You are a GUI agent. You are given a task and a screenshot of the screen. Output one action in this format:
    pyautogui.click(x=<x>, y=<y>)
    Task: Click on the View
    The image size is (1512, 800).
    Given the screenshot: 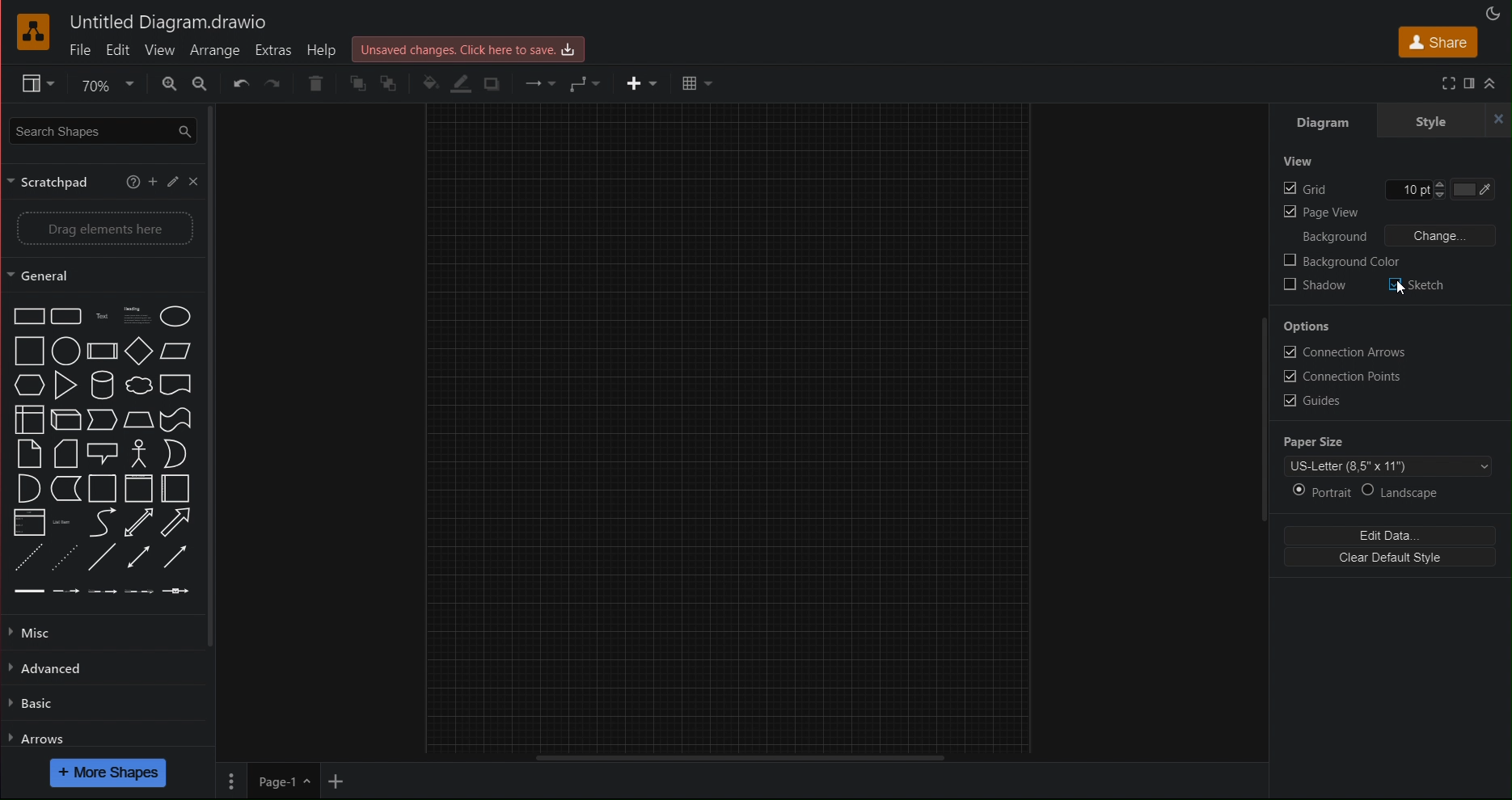 What is the action you would take?
    pyautogui.click(x=161, y=52)
    